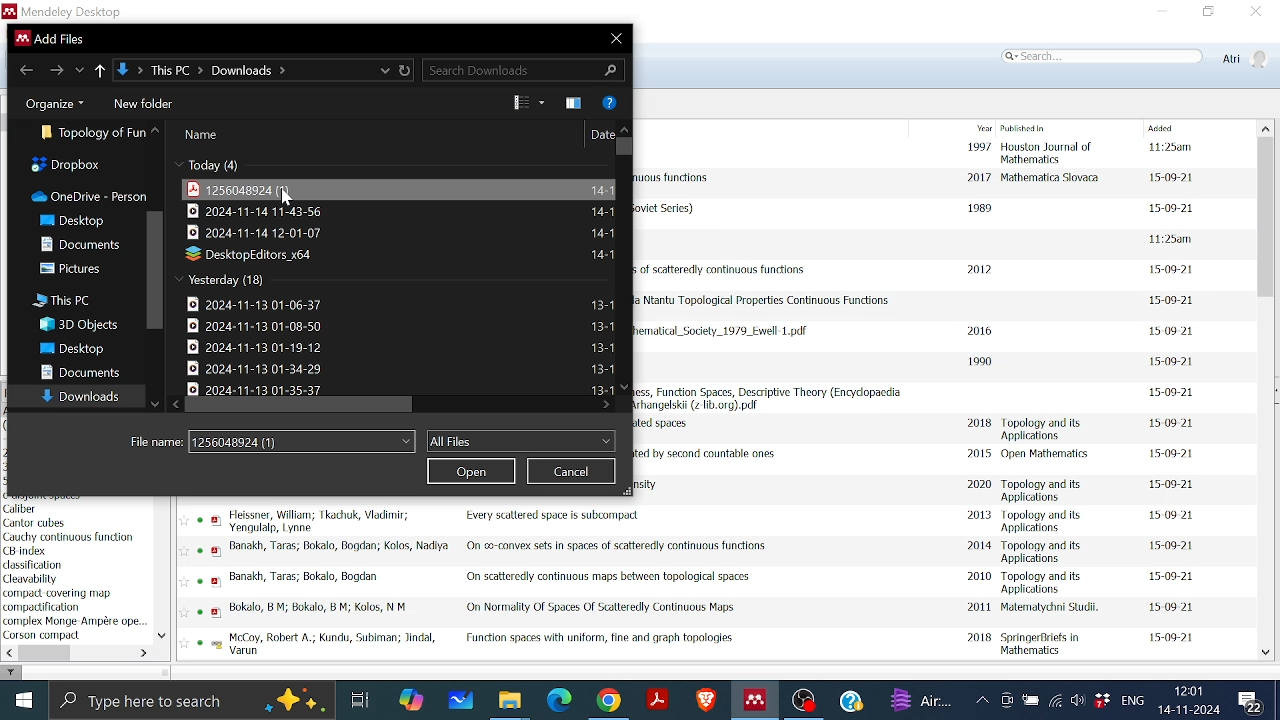  What do you see at coordinates (520, 440) in the screenshot?
I see `Files` at bounding box center [520, 440].